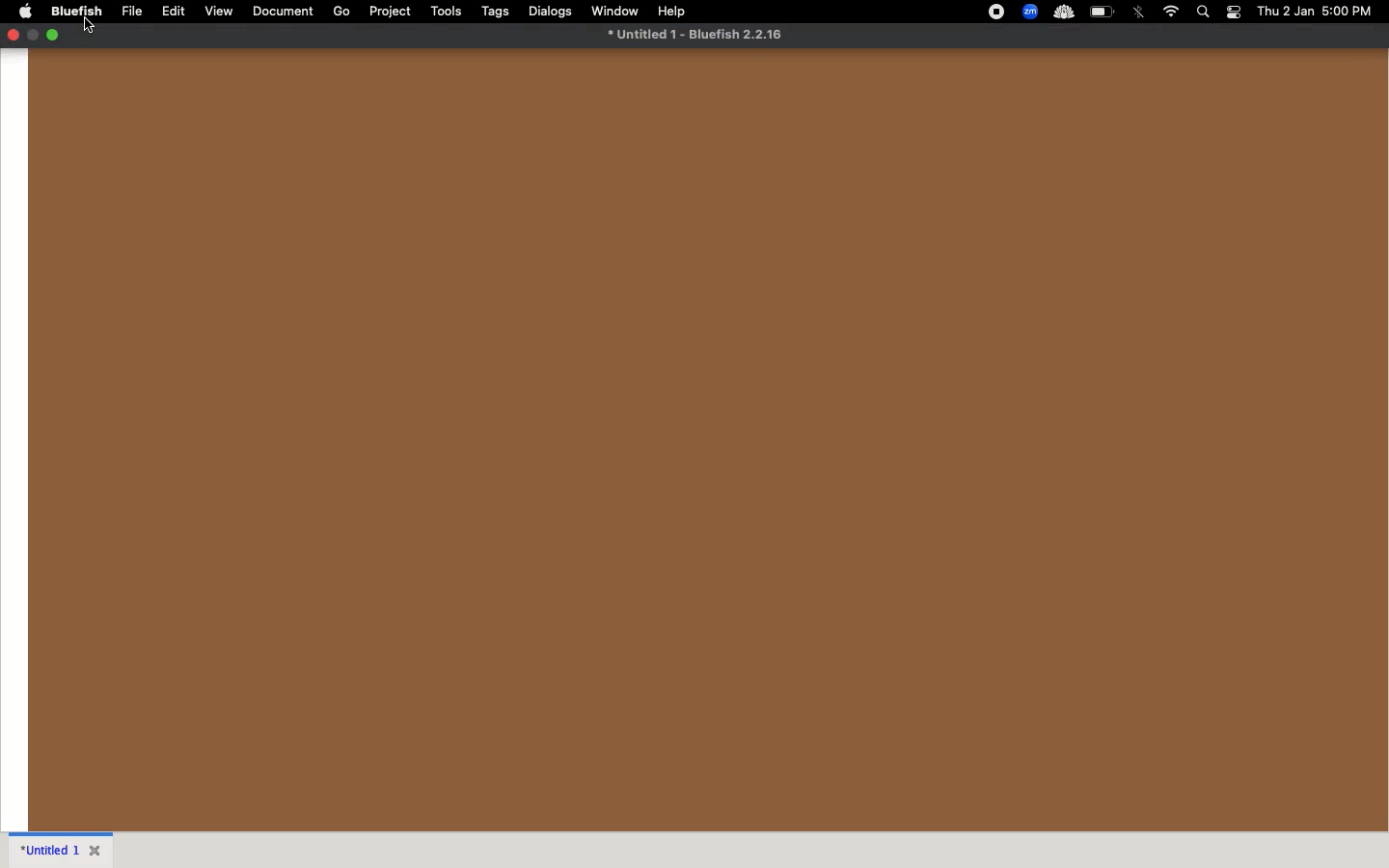  What do you see at coordinates (55, 38) in the screenshot?
I see `maximize` at bounding box center [55, 38].